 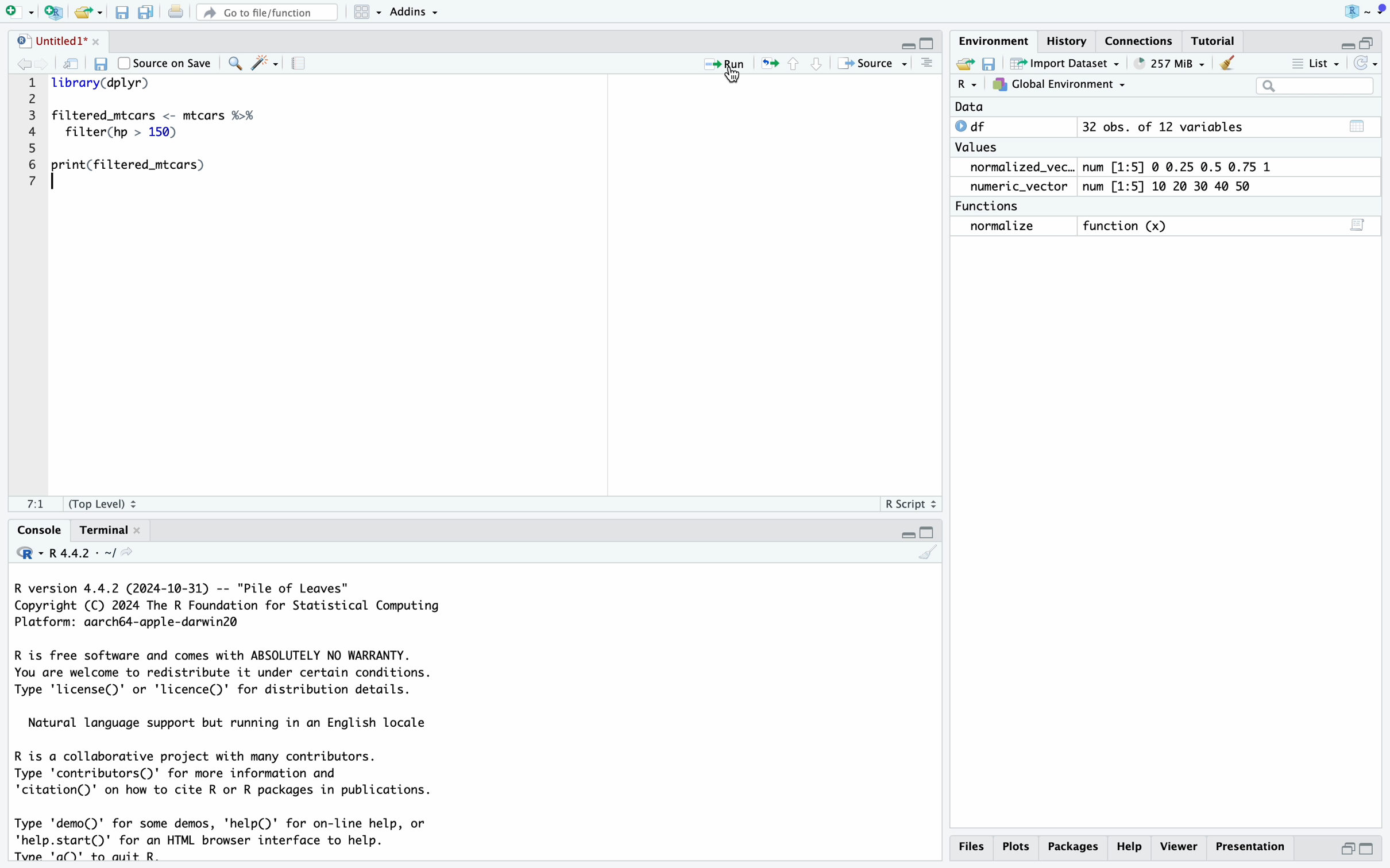 What do you see at coordinates (796, 64) in the screenshot?
I see `previous section` at bounding box center [796, 64].